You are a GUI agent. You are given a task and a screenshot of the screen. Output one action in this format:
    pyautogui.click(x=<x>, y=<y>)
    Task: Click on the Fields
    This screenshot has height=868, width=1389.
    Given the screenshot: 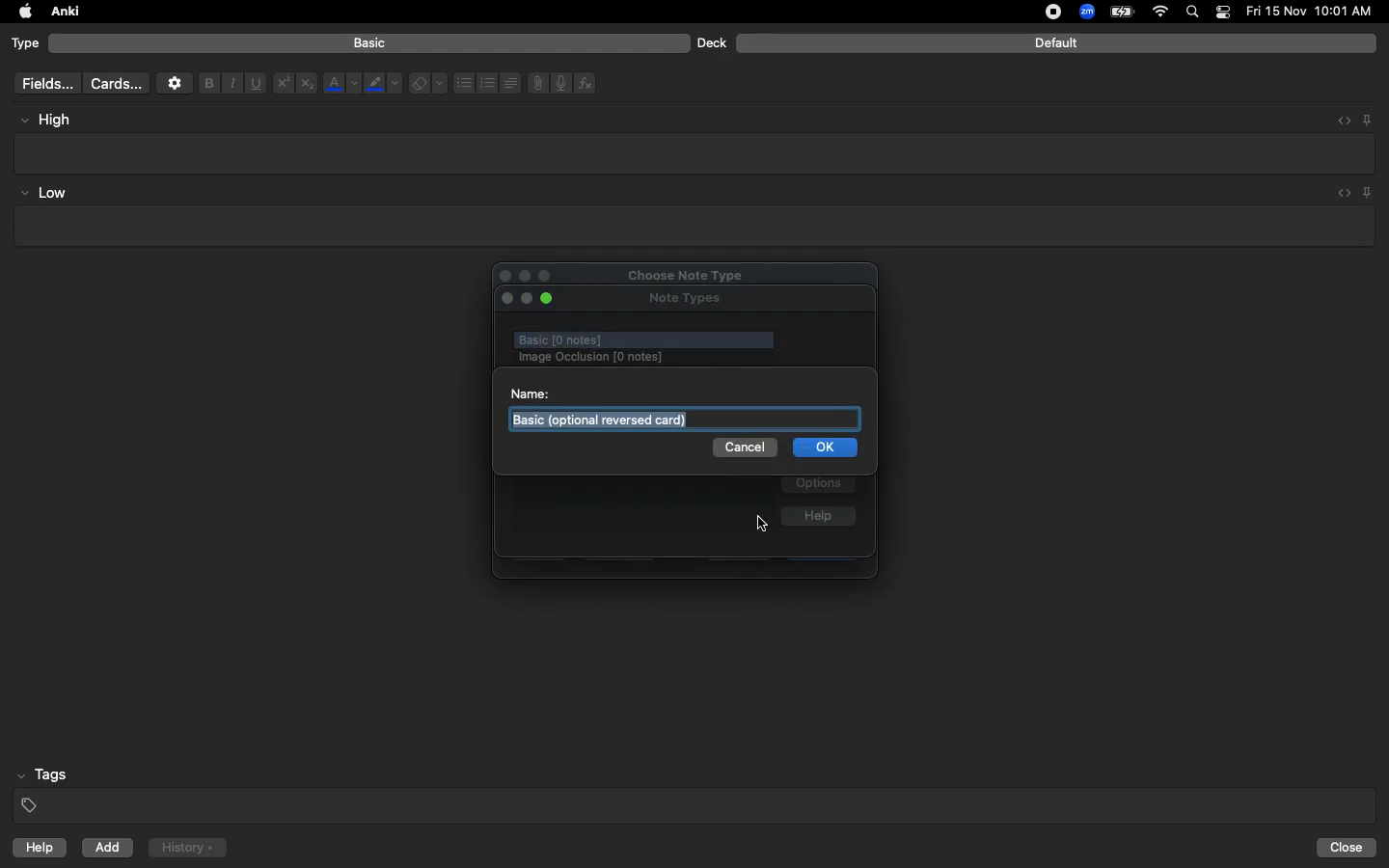 What is the action you would take?
    pyautogui.click(x=43, y=83)
    